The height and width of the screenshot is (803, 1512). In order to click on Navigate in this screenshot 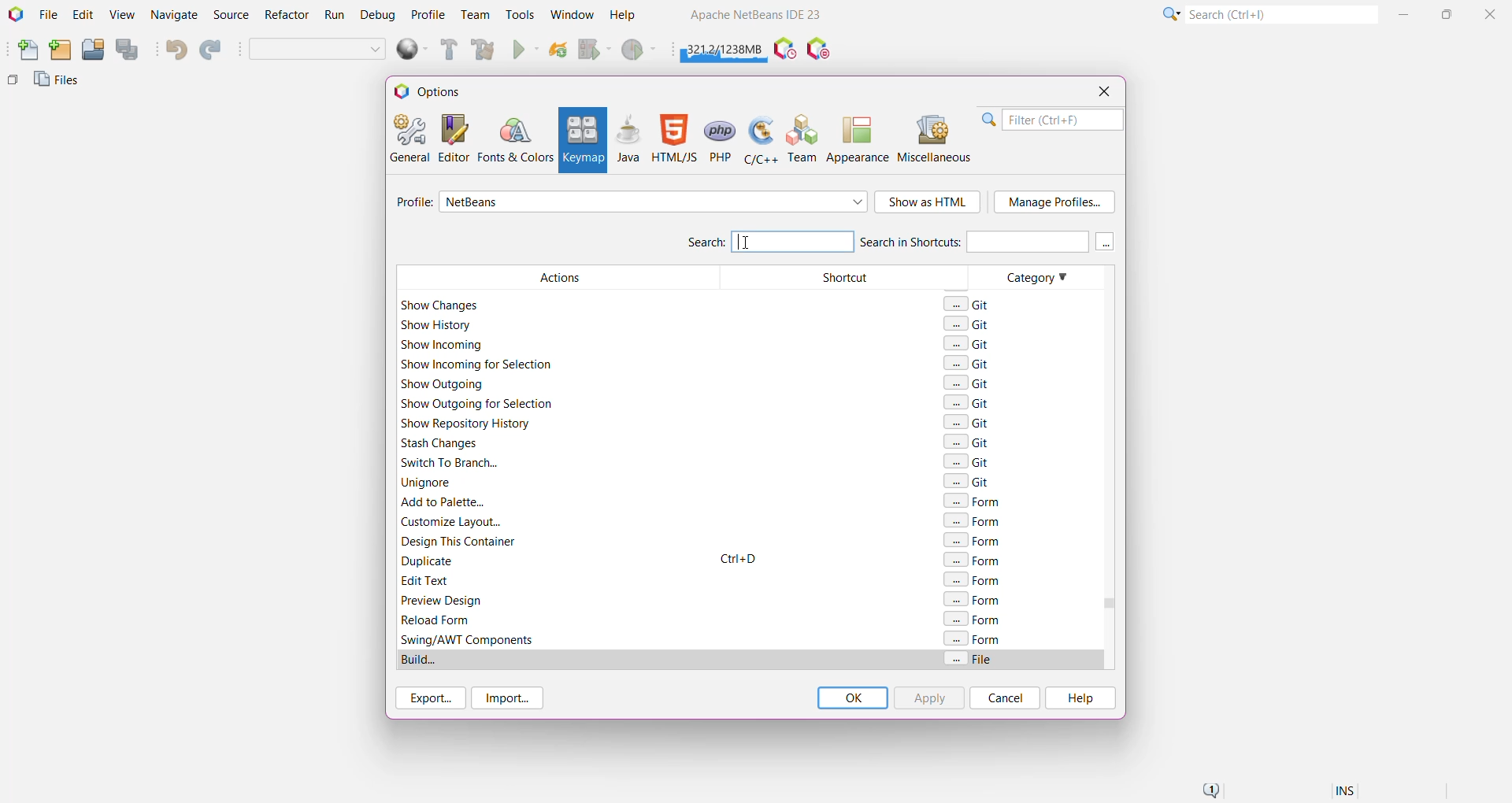, I will do `click(175, 16)`.